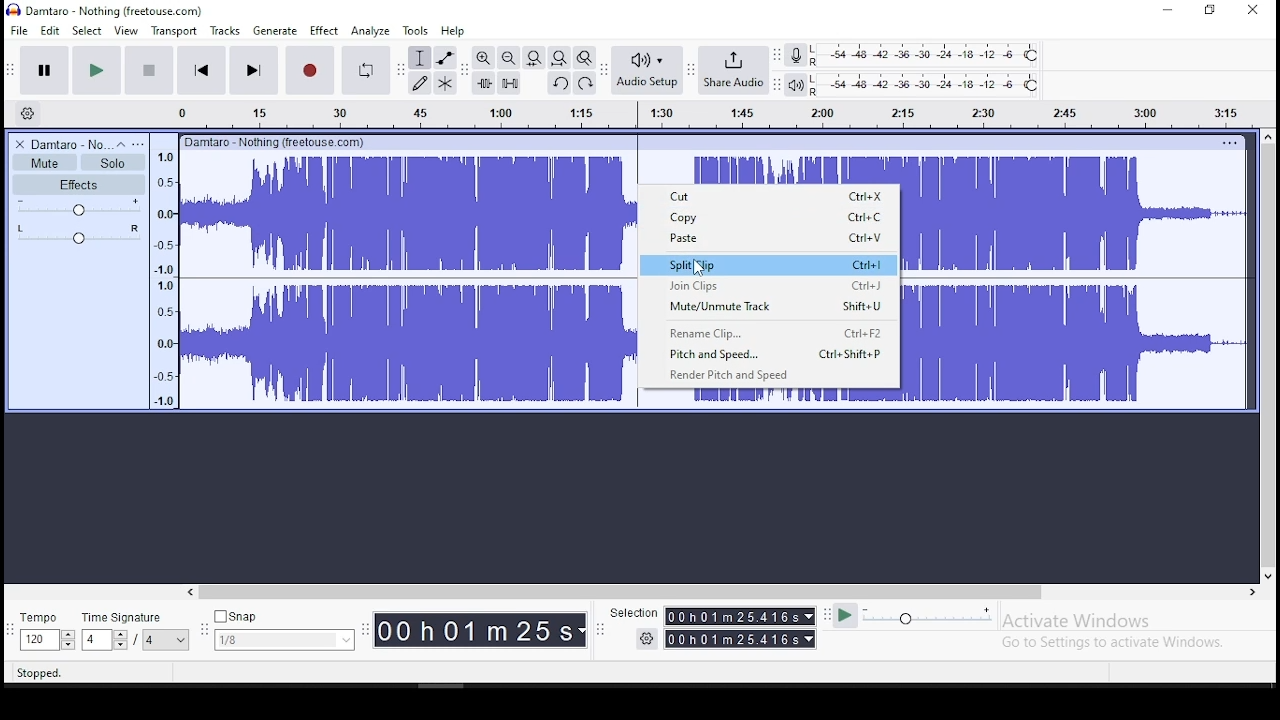 The image size is (1280, 720). I want to click on fit project to width, so click(561, 59).